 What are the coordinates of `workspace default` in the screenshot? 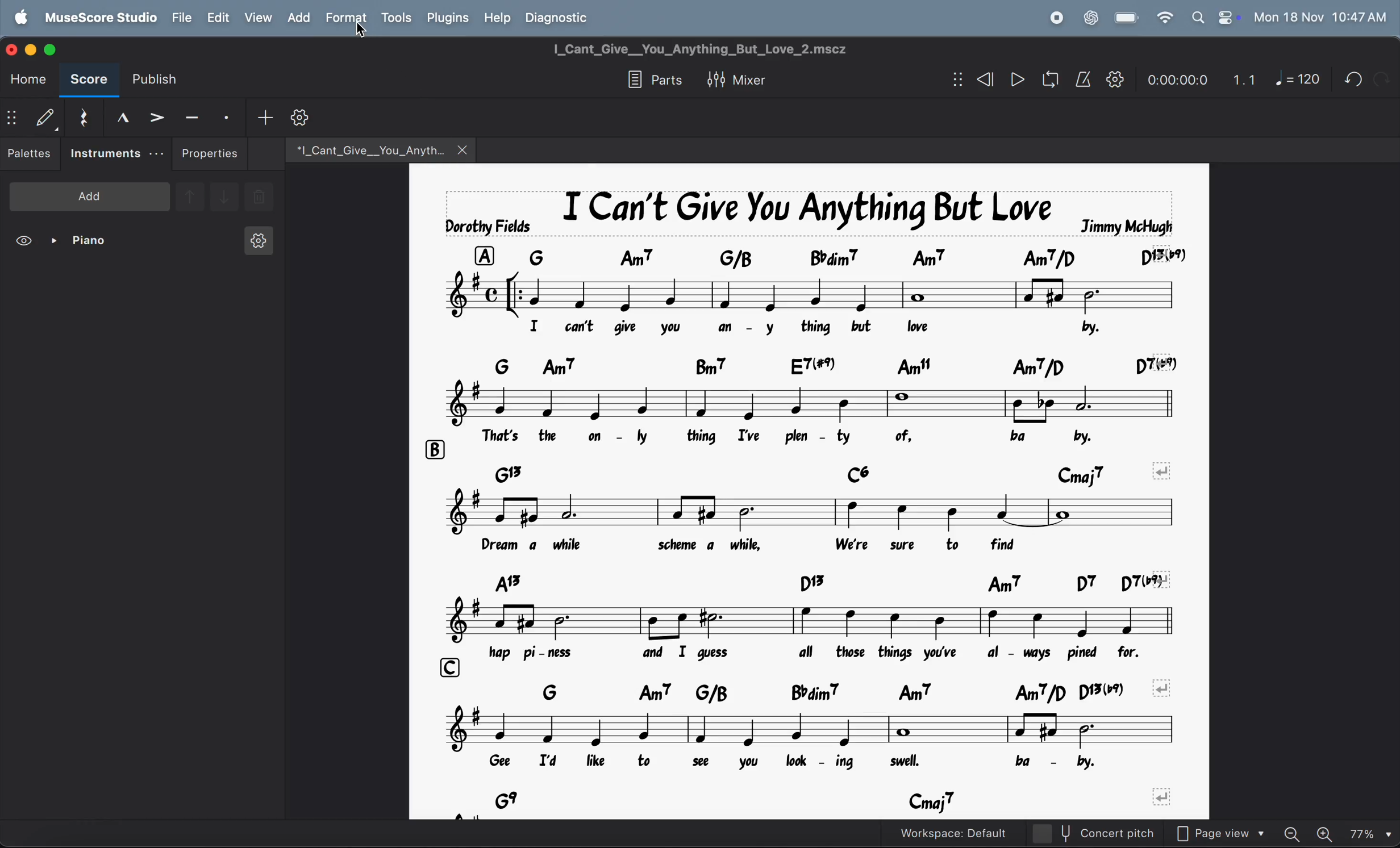 It's located at (977, 833).